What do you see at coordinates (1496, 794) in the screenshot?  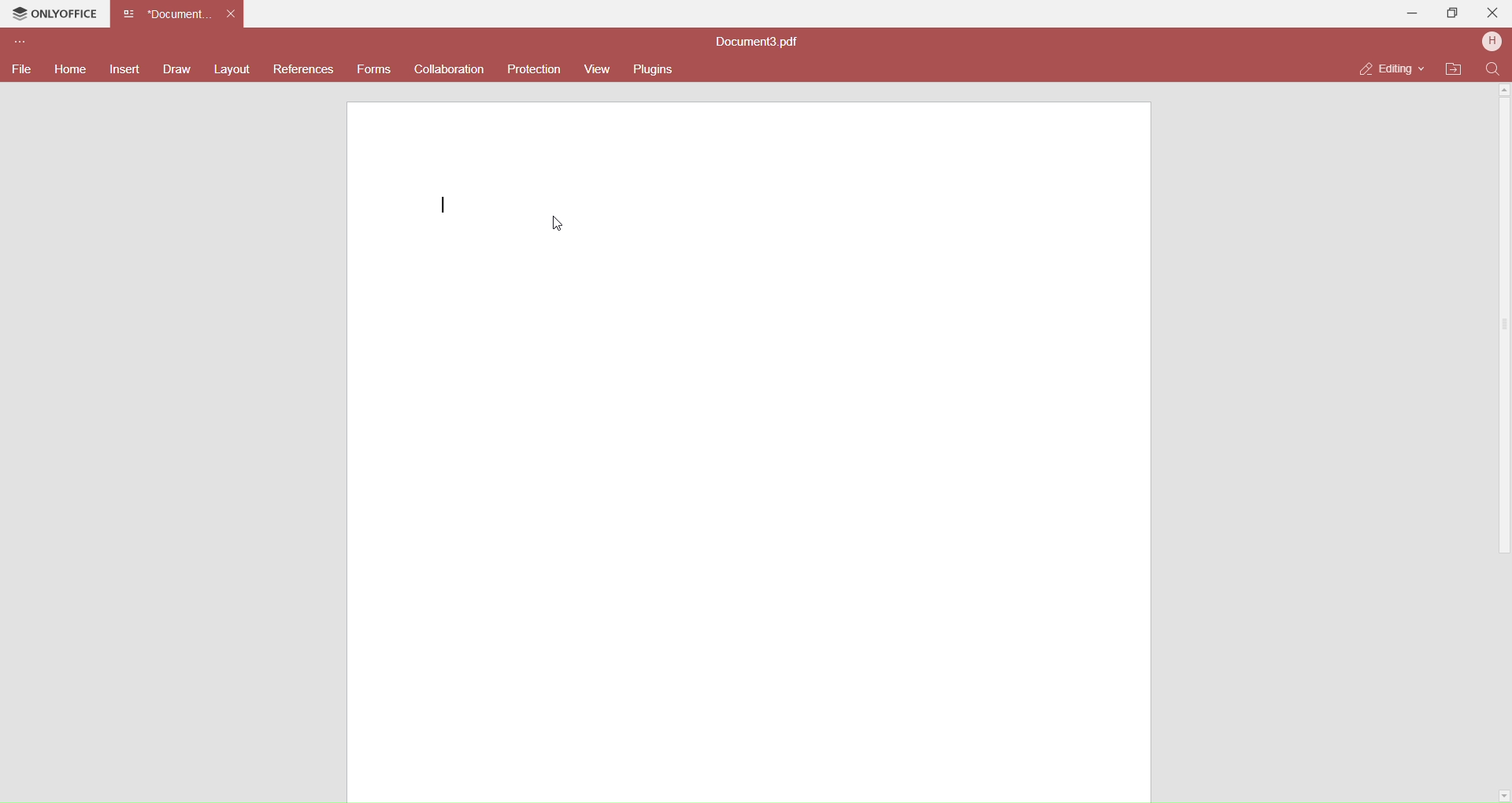 I see `down scroll bar` at bounding box center [1496, 794].